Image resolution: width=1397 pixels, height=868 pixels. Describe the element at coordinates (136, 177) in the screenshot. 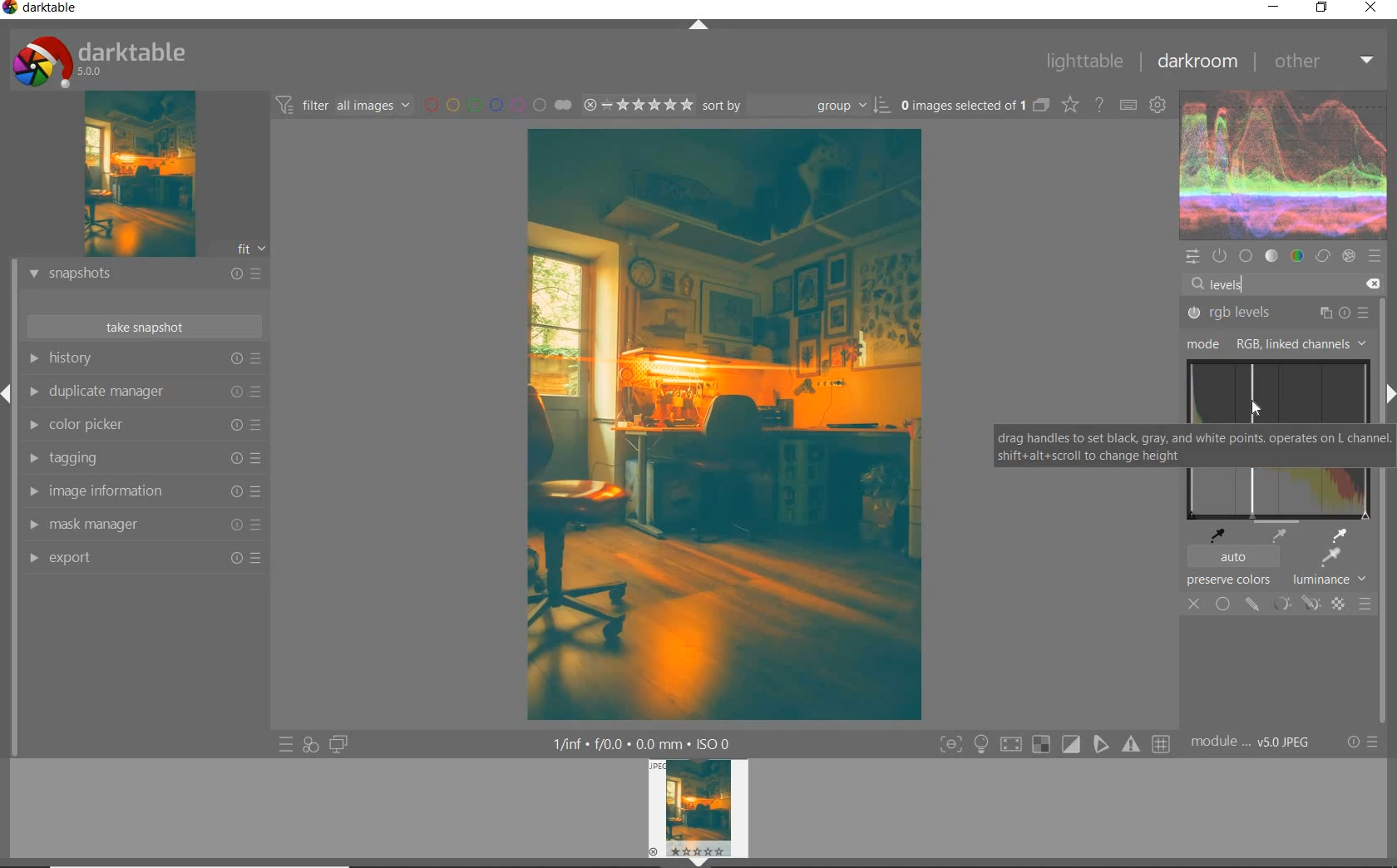

I see `image preview` at that location.